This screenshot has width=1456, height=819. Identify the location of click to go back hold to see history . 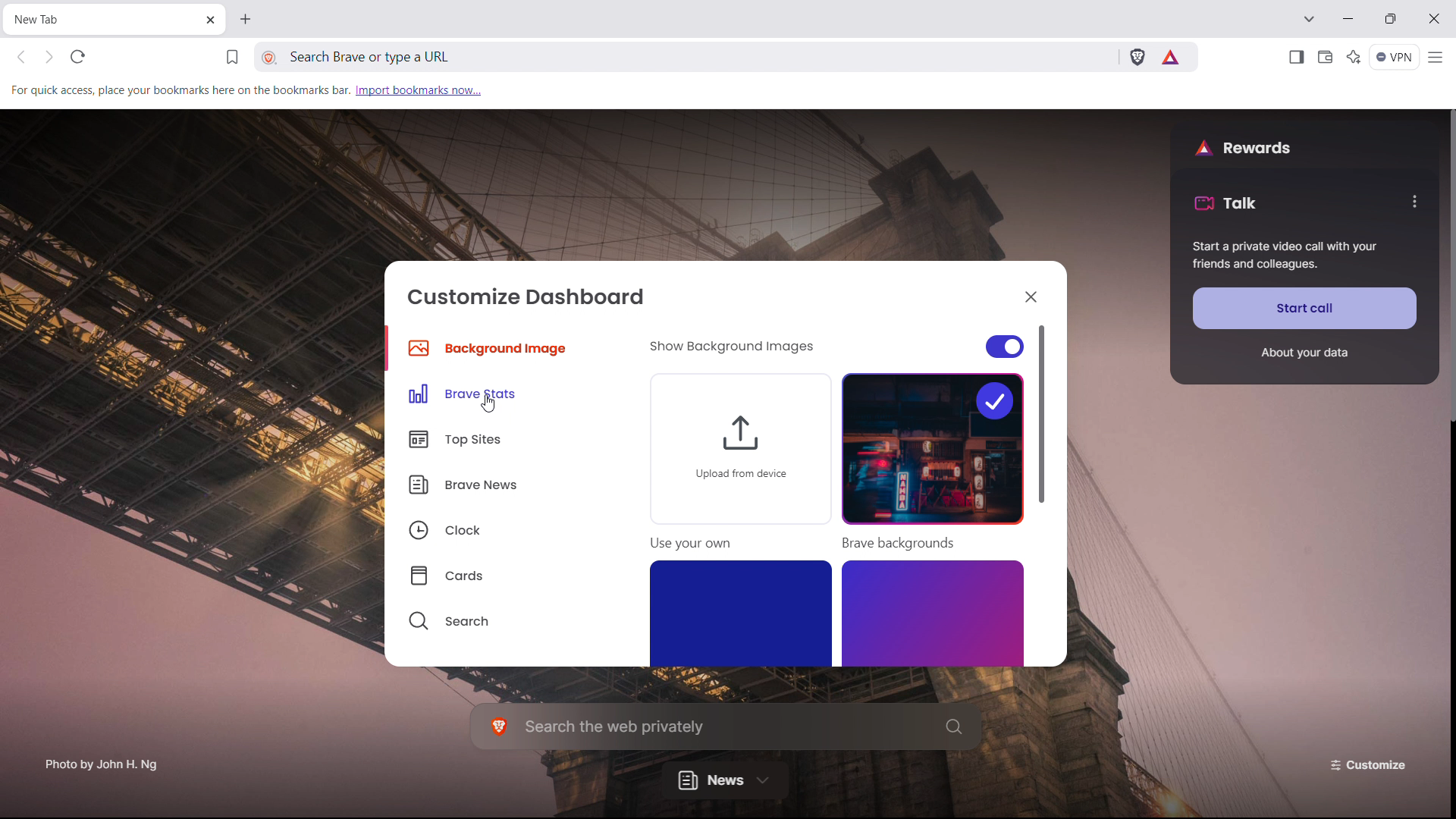
(21, 58).